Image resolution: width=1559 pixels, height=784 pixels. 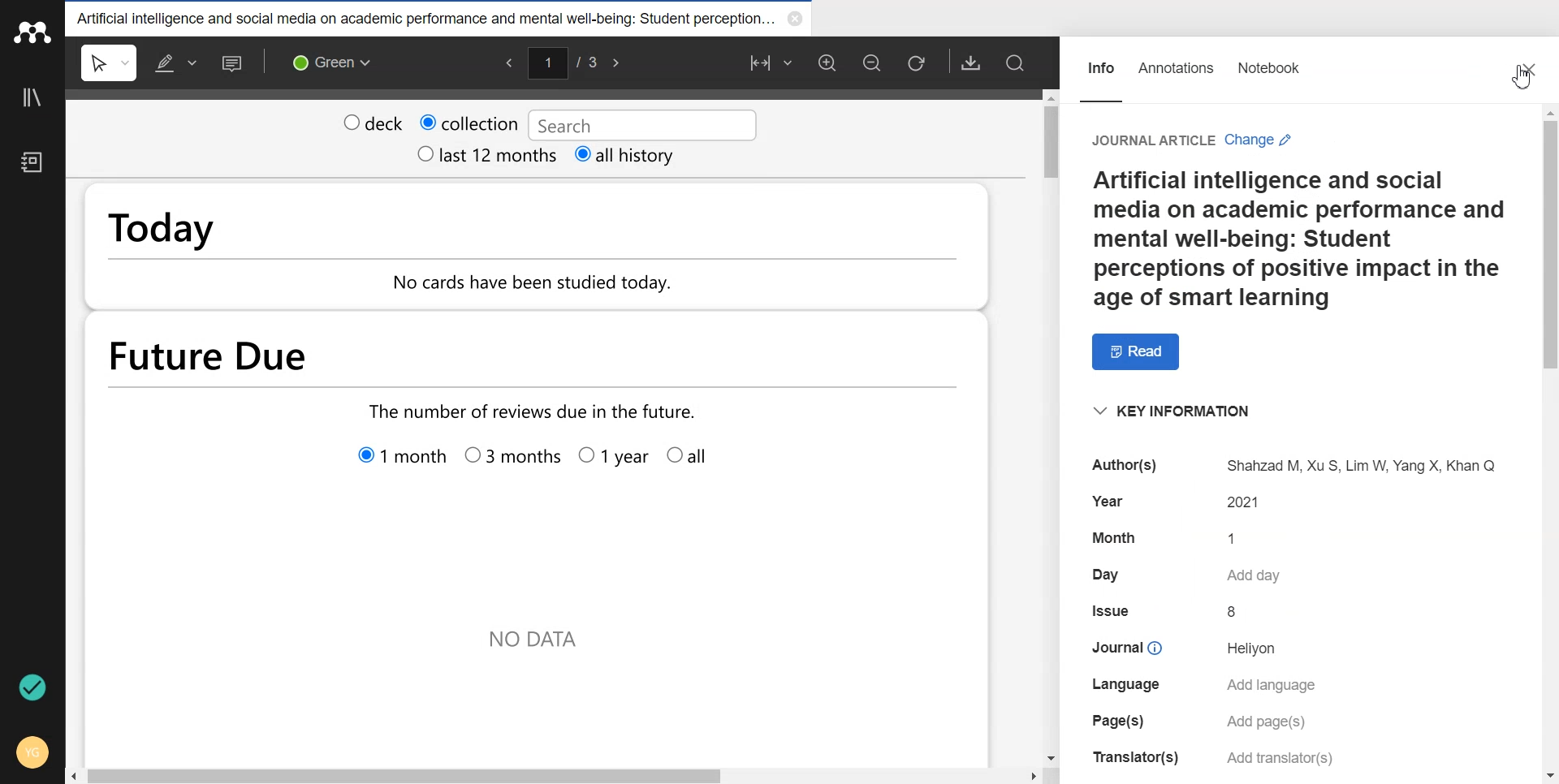 What do you see at coordinates (613, 459) in the screenshot?
I see `1 year` at bounding box center [613, 459].